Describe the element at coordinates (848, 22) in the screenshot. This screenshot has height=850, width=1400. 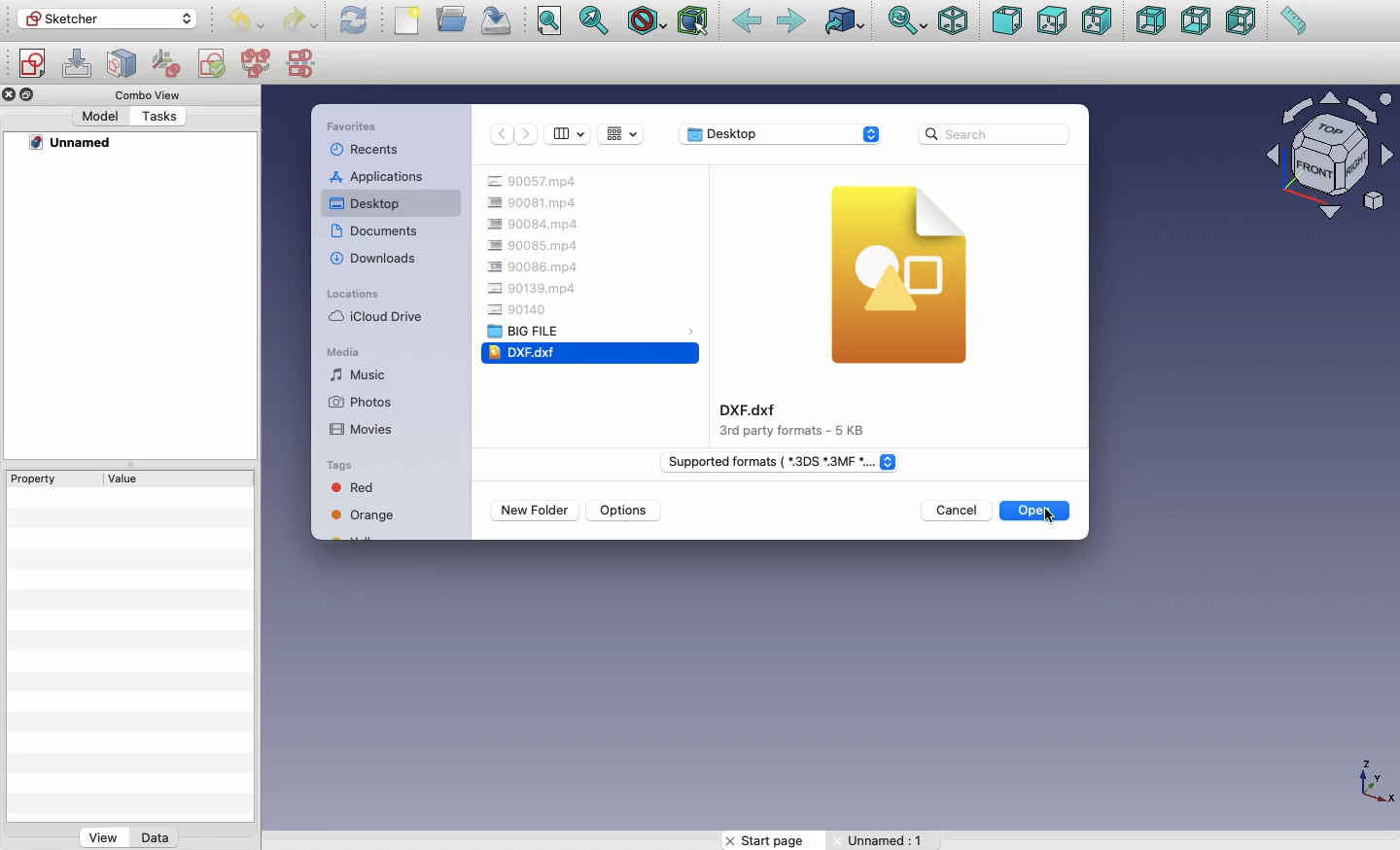
I see `Go to linked object` at that location.